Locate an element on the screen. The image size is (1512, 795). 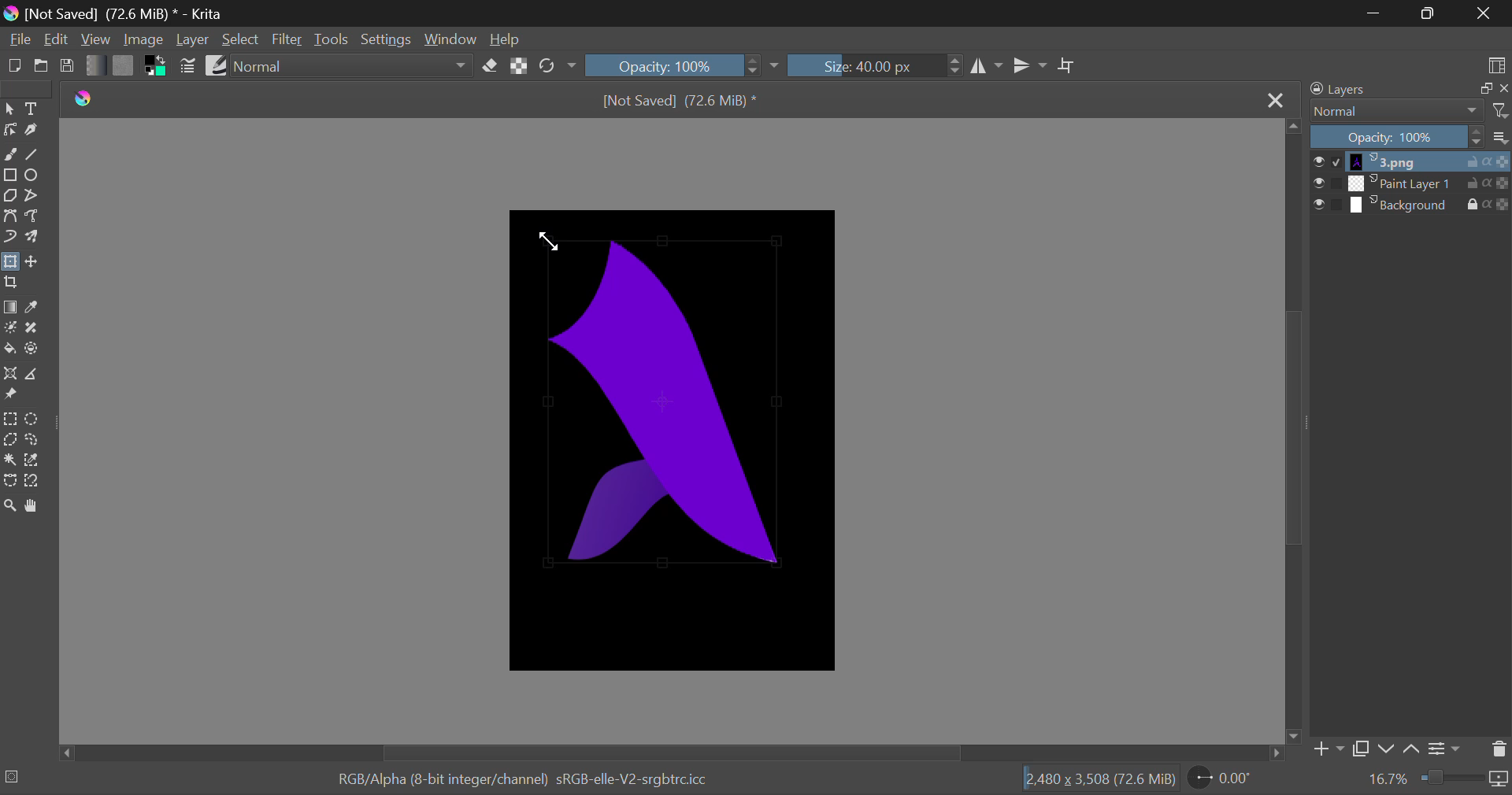
Add Layer is located at coordinates (1328, 749).